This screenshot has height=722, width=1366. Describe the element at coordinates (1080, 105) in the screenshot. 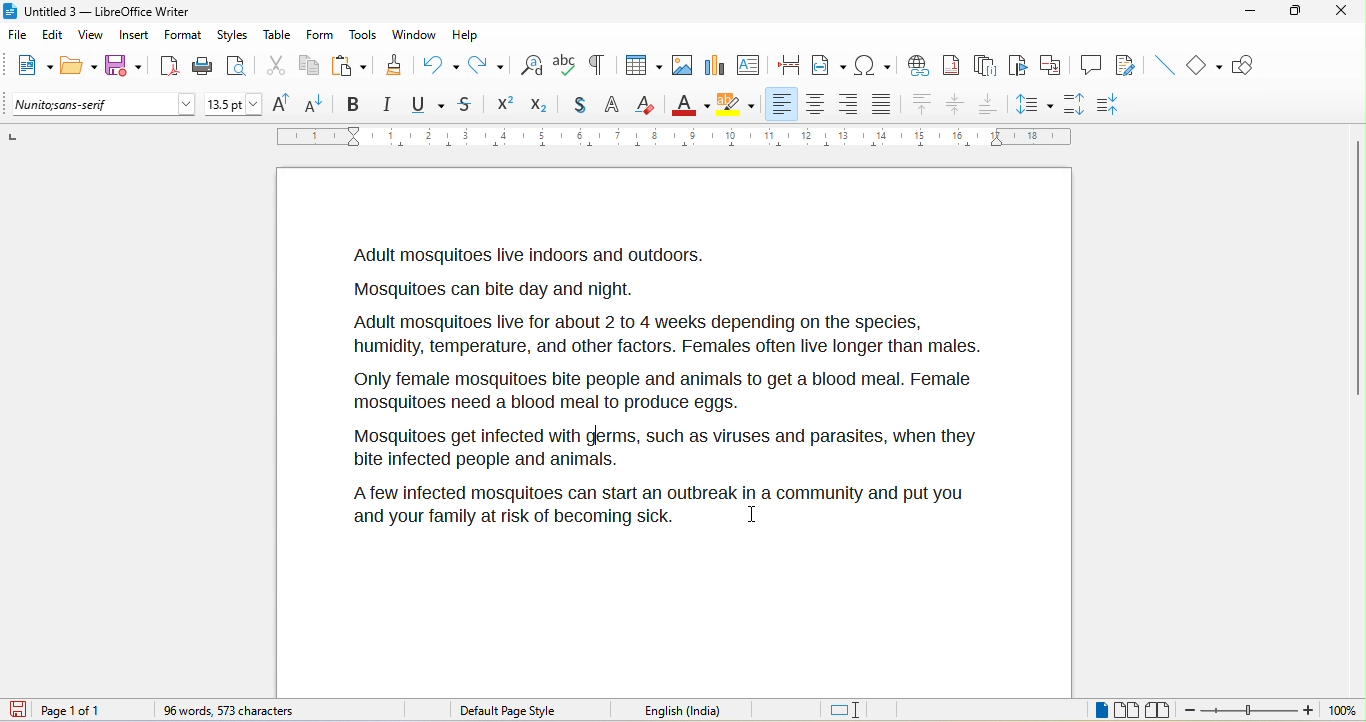

I see `increase paragraph spacing` at that location.